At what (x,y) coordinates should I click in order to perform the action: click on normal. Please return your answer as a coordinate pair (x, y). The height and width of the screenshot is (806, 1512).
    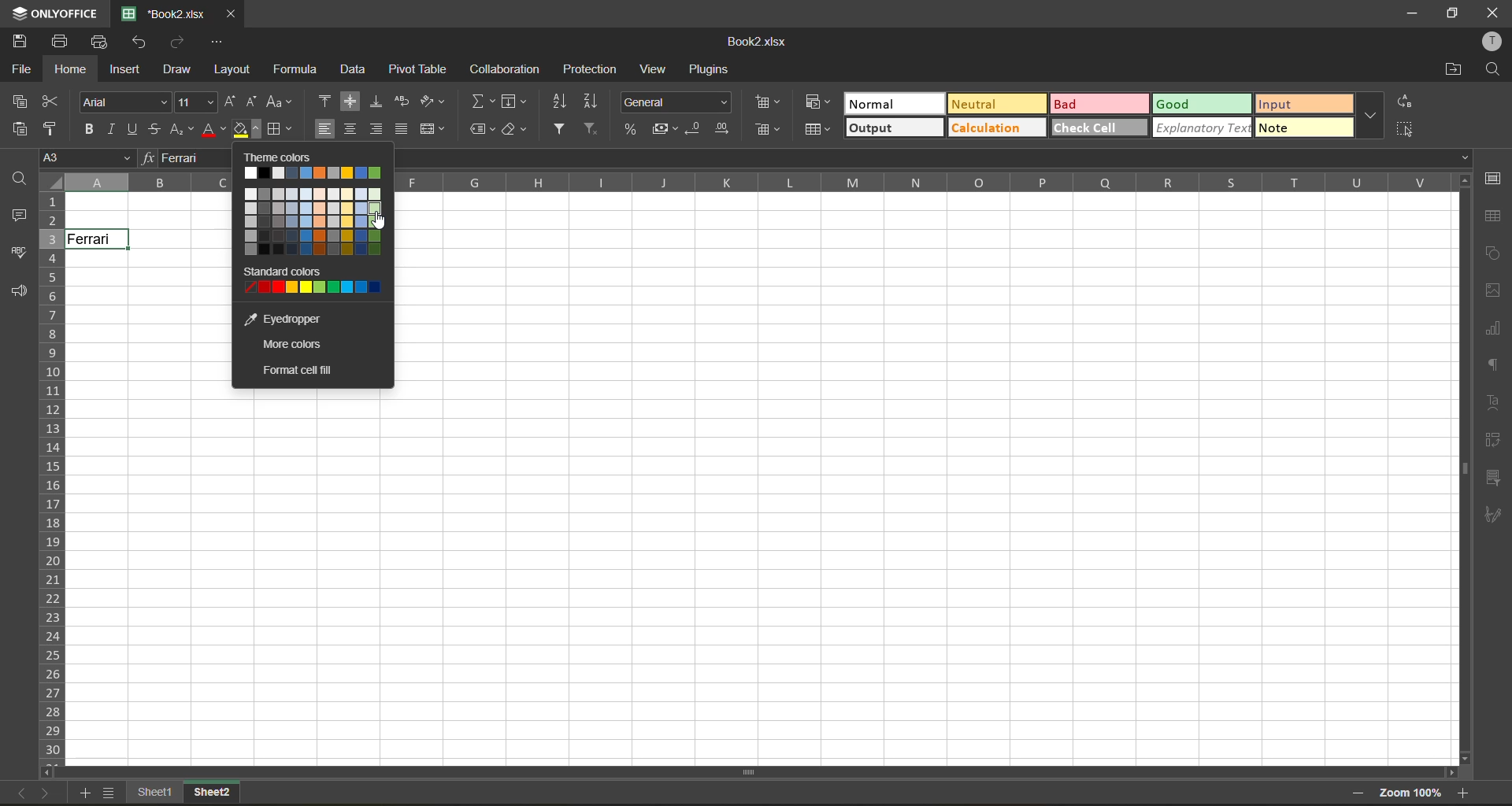
    Looking at the image, I should click on (895, 105).